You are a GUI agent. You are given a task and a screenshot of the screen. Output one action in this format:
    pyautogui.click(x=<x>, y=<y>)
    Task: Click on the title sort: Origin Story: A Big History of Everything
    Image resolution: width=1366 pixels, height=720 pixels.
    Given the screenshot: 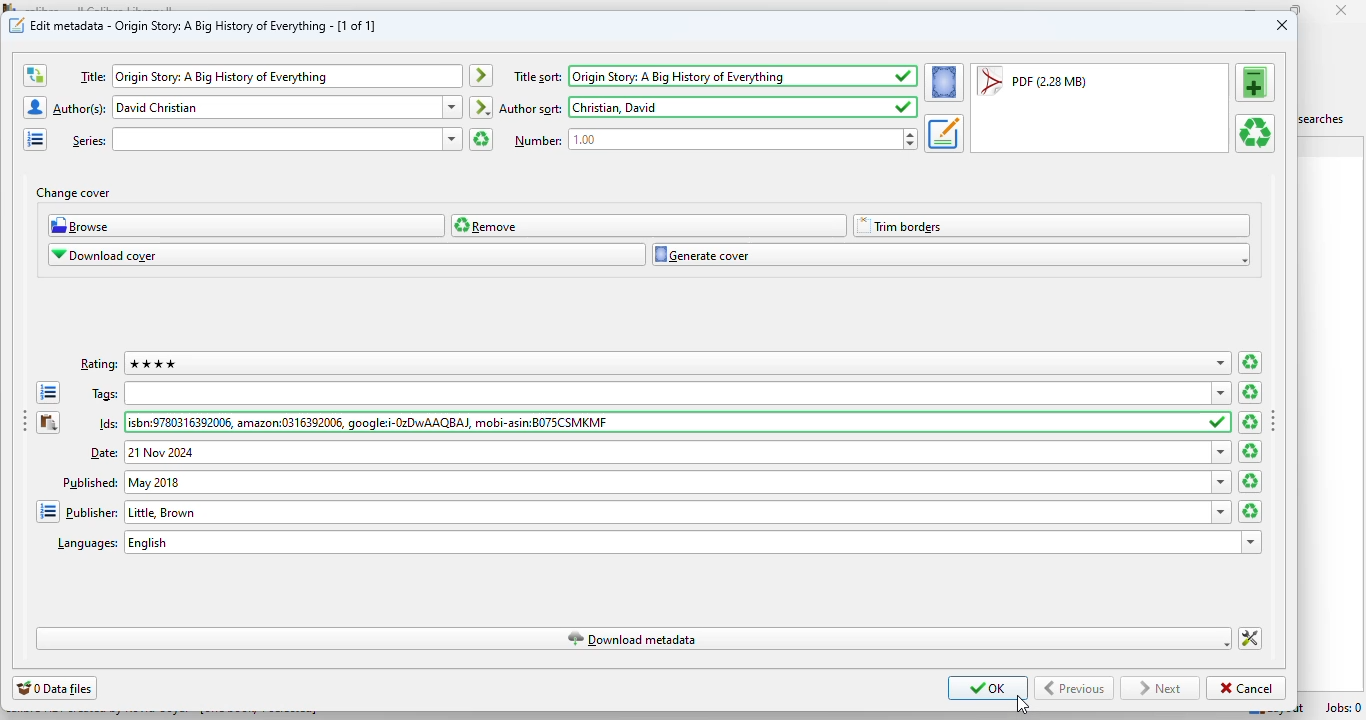 What is the action you would take?
    pyautogui.click(x=699, y=76)
    